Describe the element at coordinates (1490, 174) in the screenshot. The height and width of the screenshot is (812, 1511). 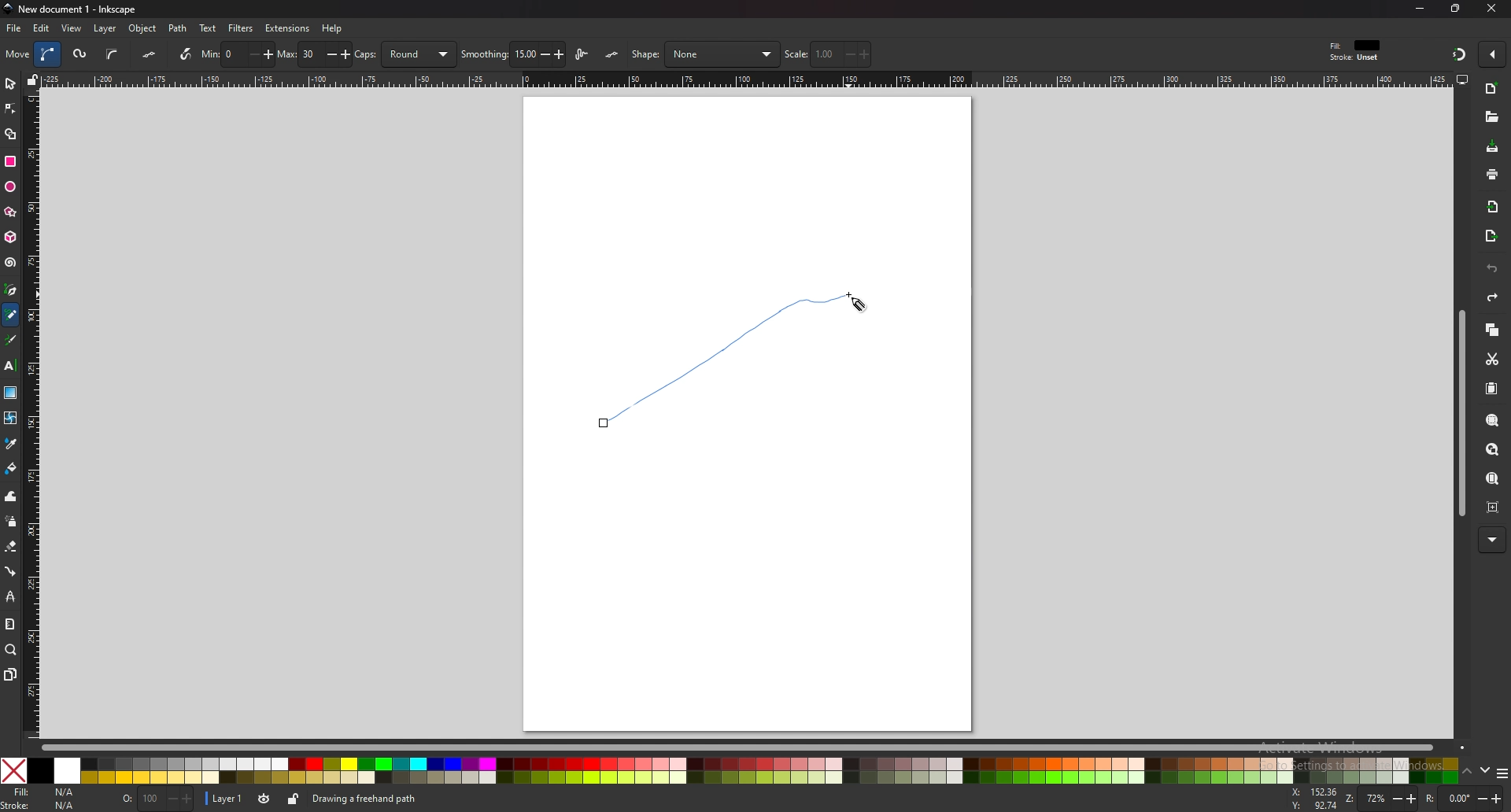
I see `print` at that location.